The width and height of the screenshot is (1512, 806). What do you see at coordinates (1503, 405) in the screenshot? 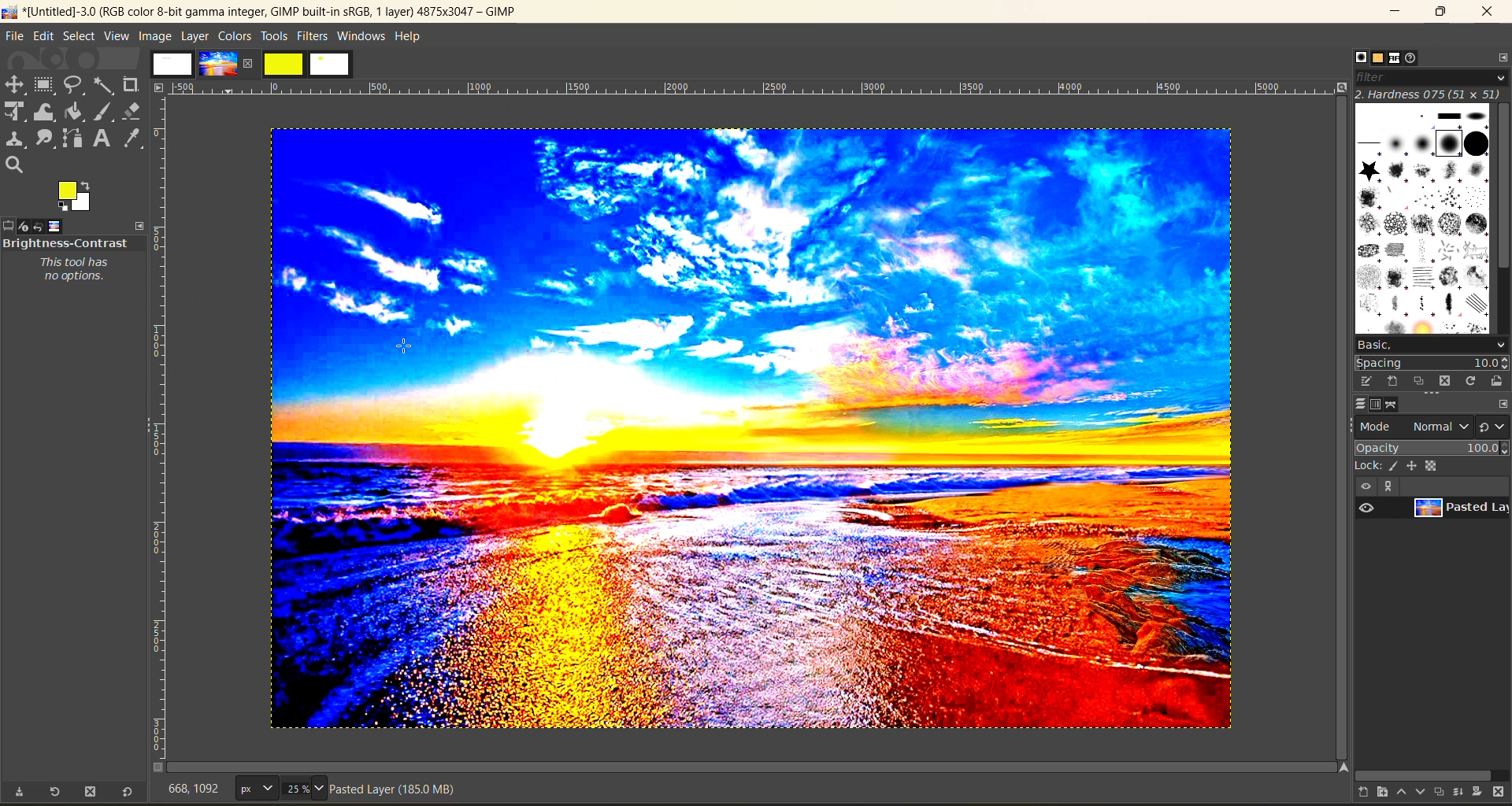
I see `configure this tab` at bounding box center [1503, 405].